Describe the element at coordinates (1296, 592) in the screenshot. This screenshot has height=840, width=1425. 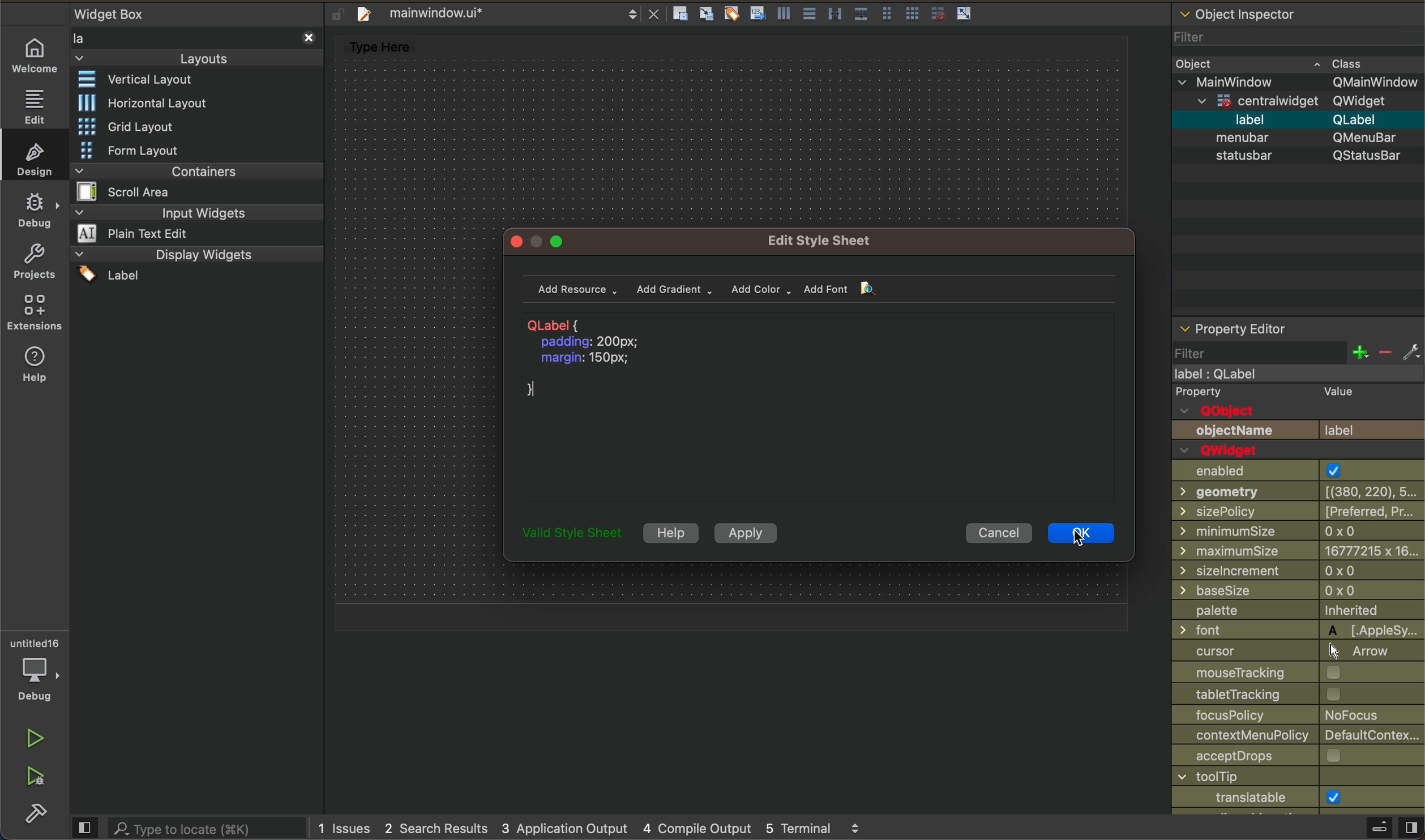
I see `base size` at that location.